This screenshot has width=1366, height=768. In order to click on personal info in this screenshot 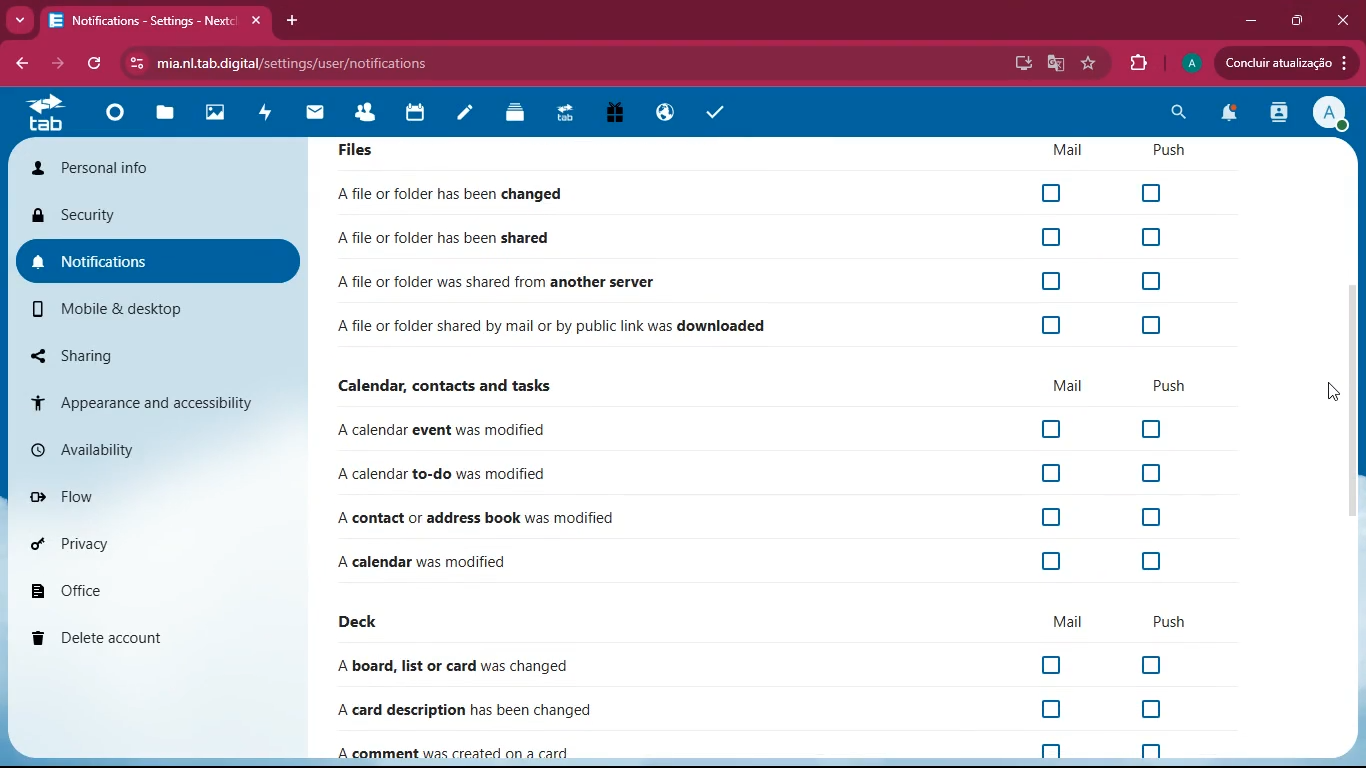, I will do `click(158, 170)`.